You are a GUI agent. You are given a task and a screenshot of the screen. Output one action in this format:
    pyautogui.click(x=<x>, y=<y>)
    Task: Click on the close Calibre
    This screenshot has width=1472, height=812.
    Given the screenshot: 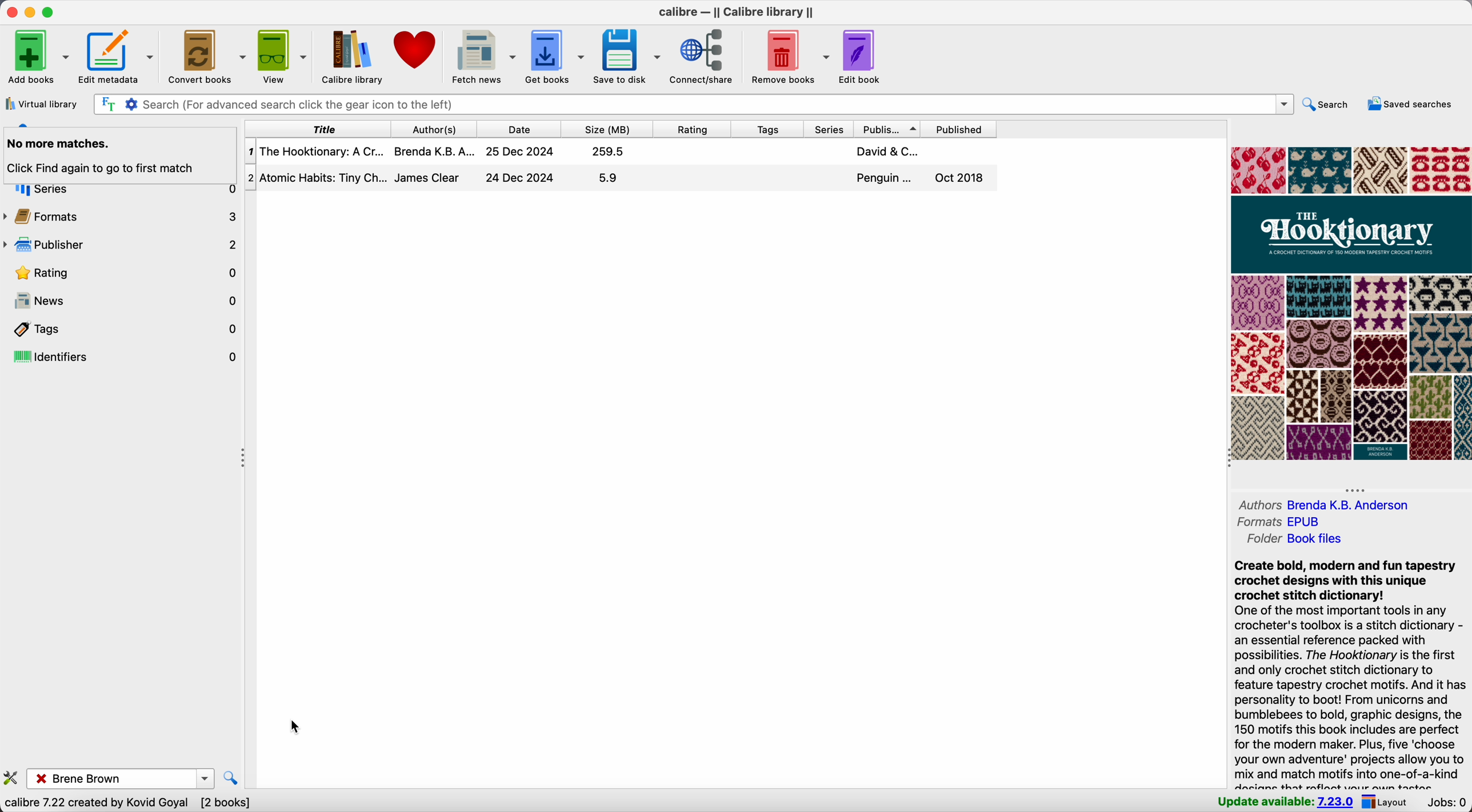 What is the action you would take?
    pyautogui.click(x=9, y=11)
    